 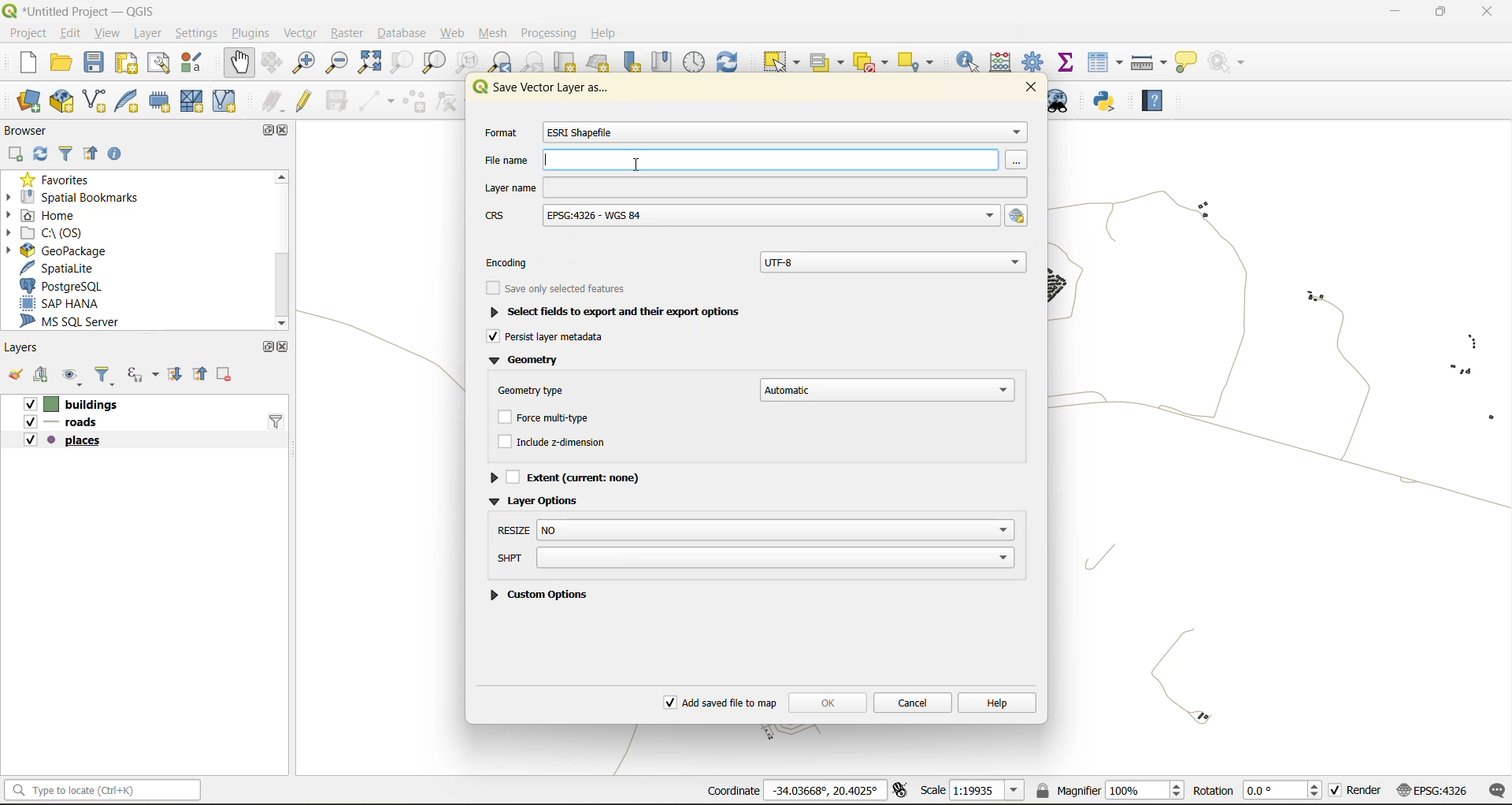 I want to click on view, so click(x=109, y=32).